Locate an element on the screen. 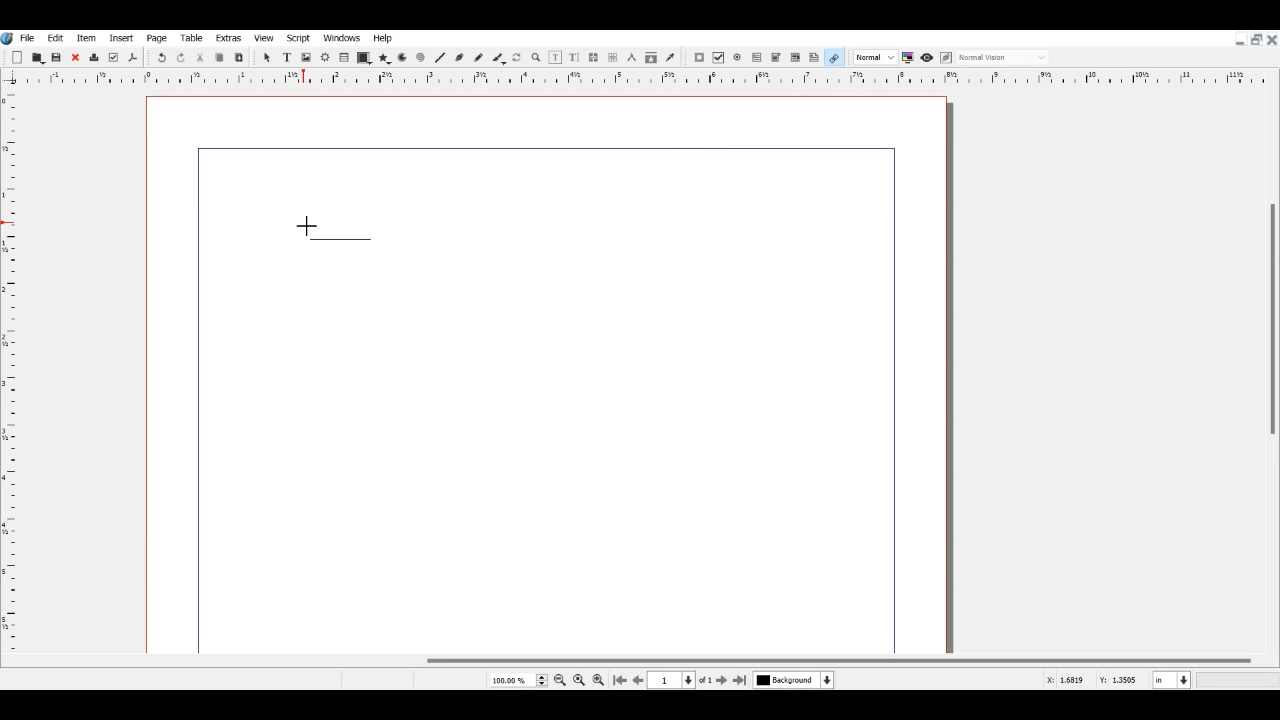 The image size is (1280, 720). Paste is located at coordinates (239, 57).